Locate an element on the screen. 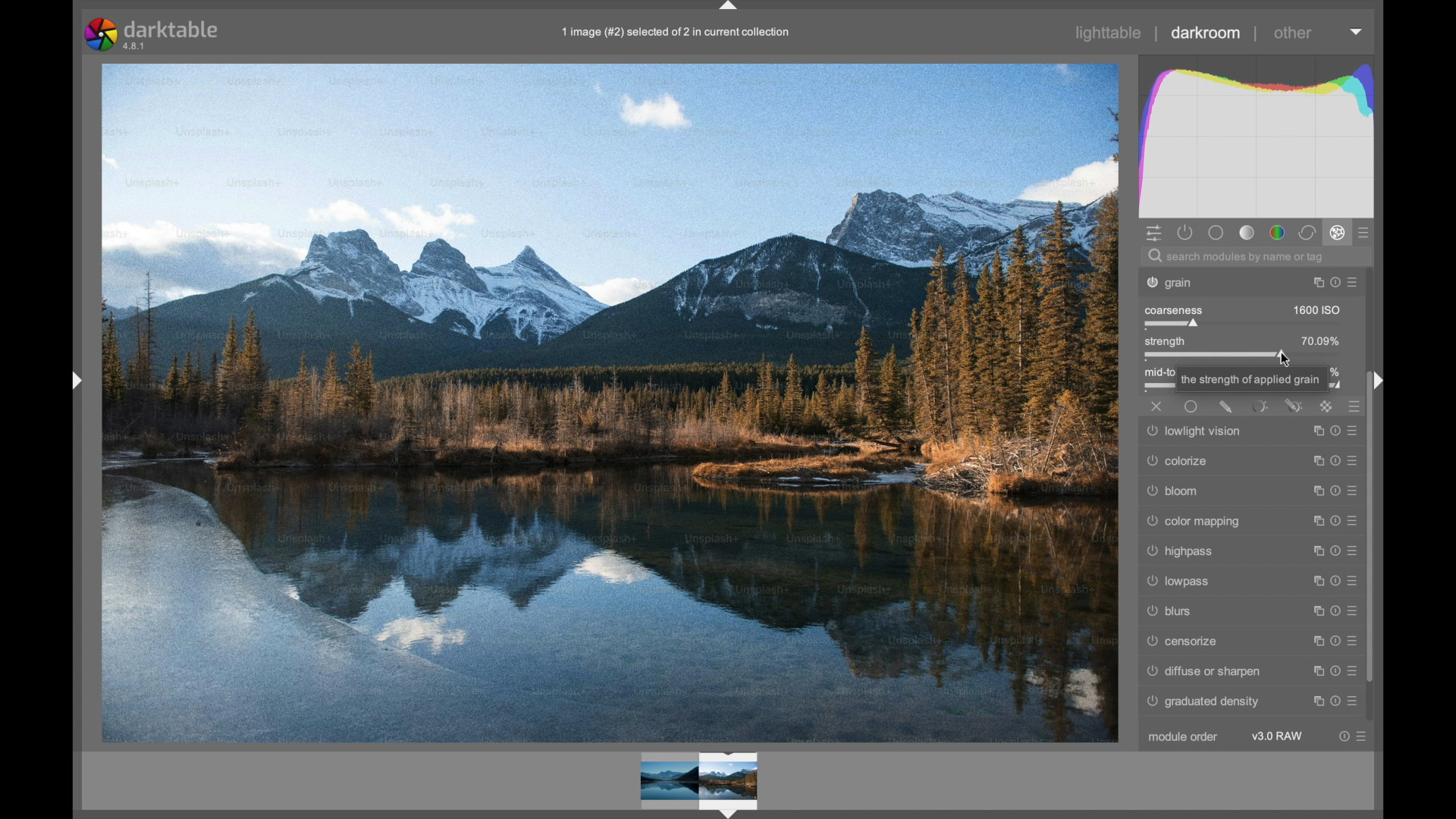  blurs is located at coordinates (1169, 612).